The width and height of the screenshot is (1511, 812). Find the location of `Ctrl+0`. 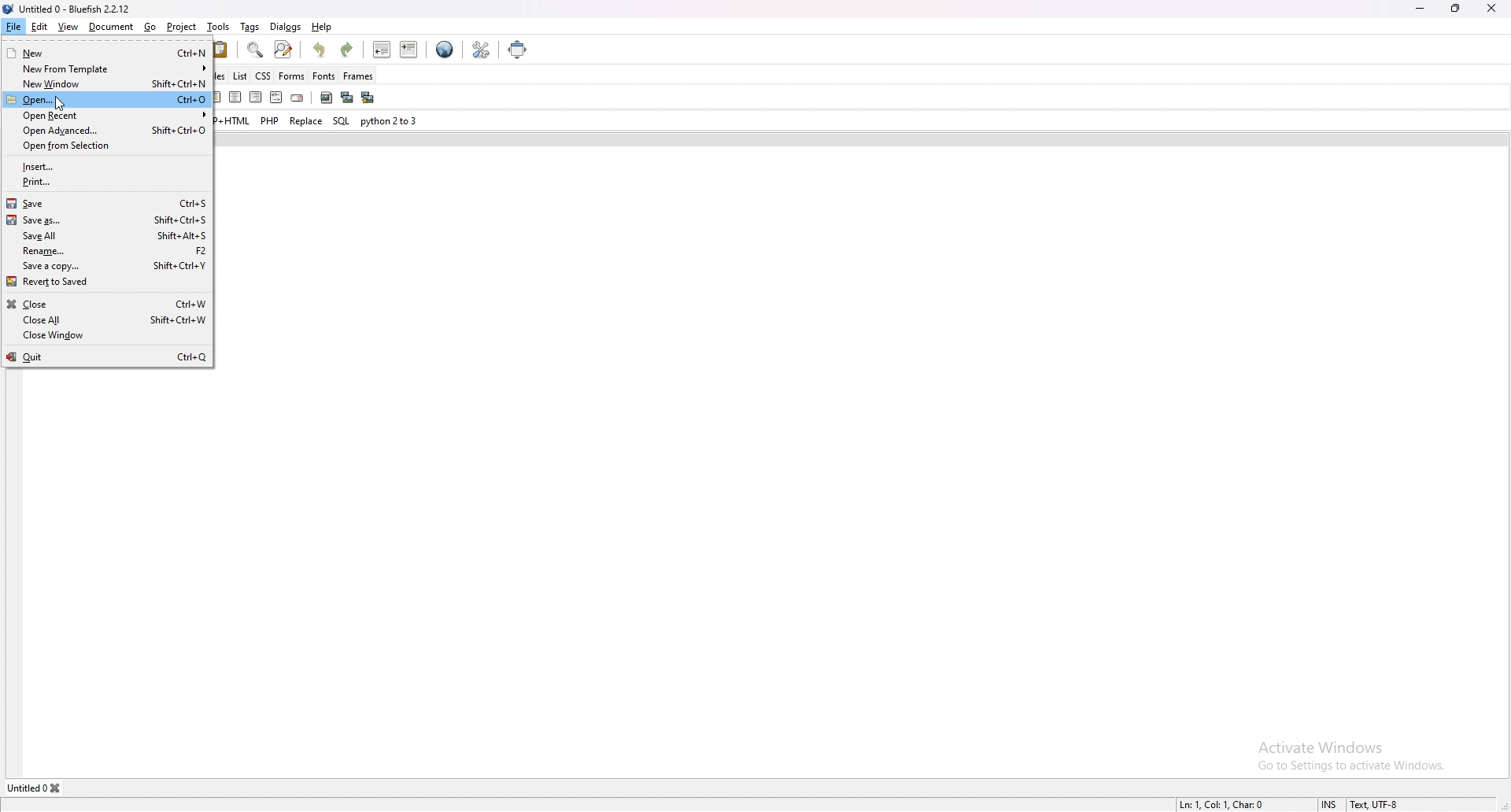

Ctrl+0 is located at coordinates (193, 100).